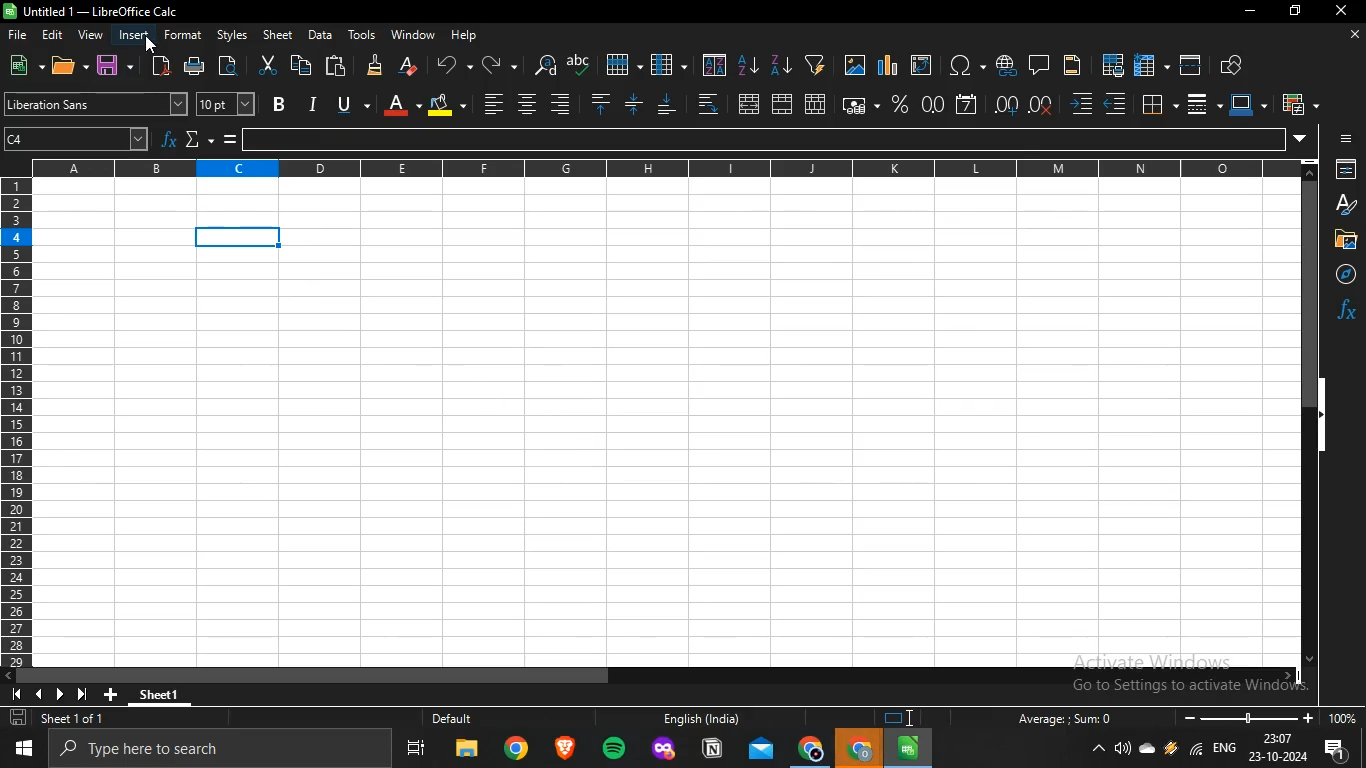 This screenshot has width=1366, height=768. What do you see at coordinates (1157, 103) in the screenshot?
I see `borders` at bounding box center [1157, 103].